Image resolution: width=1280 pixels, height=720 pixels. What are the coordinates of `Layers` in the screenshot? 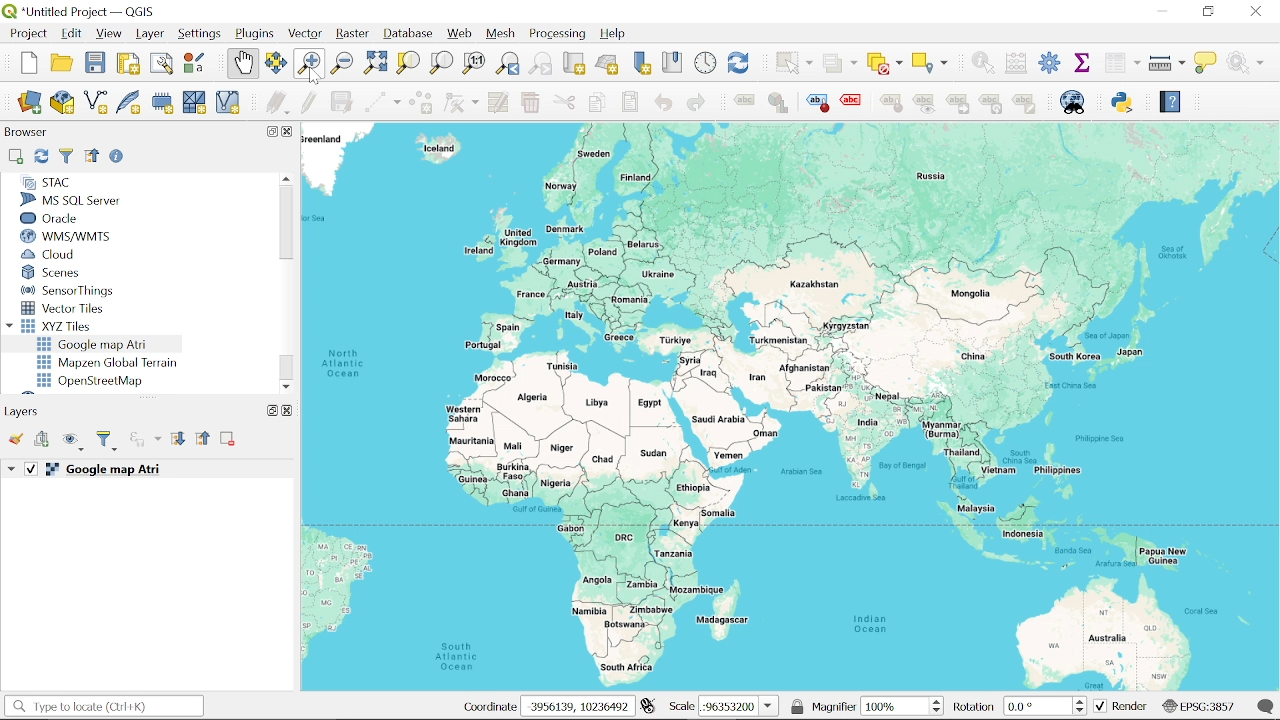 It's located at (26, 411).